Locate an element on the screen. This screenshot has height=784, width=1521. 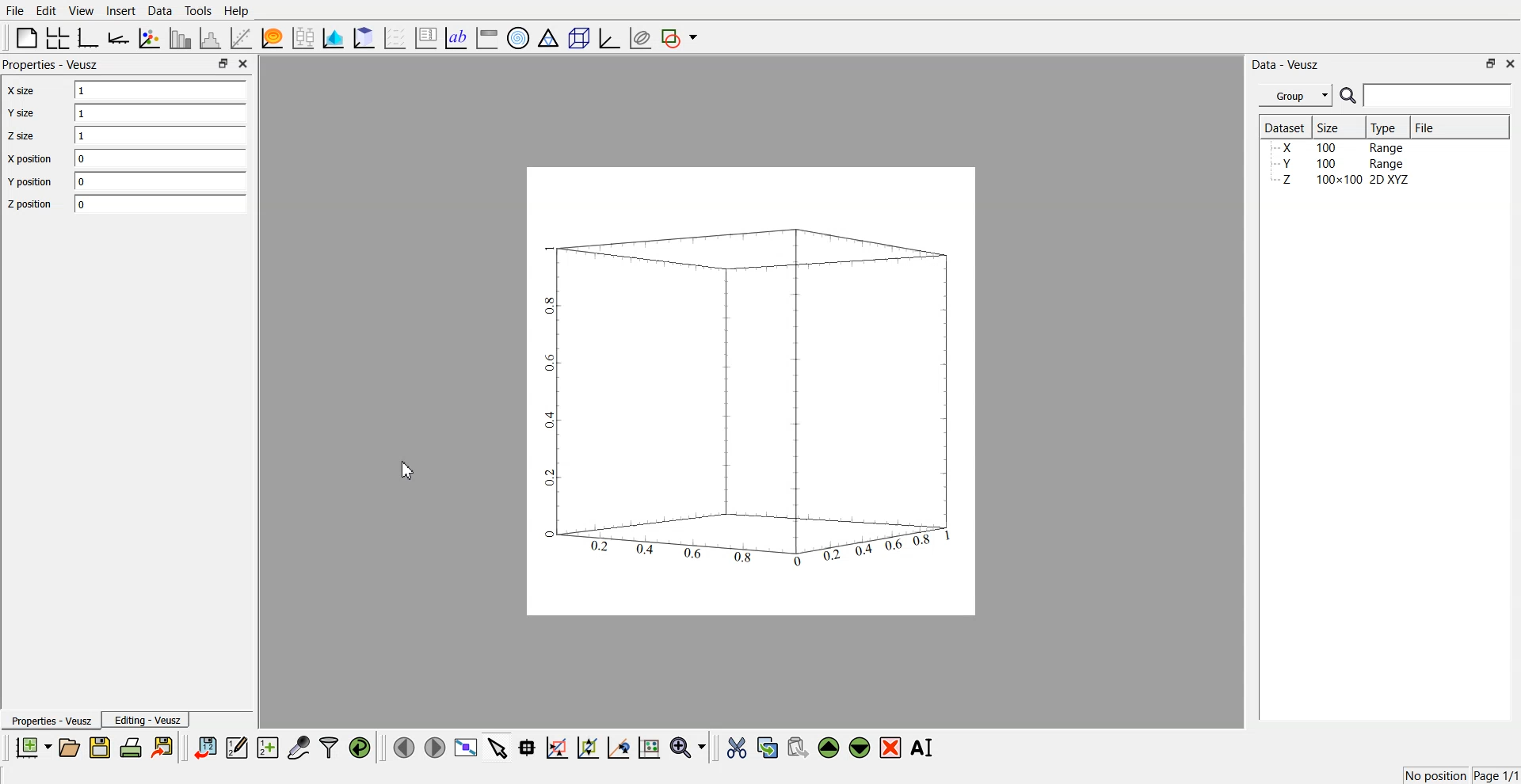
0 is located at coordinates (159, 179).